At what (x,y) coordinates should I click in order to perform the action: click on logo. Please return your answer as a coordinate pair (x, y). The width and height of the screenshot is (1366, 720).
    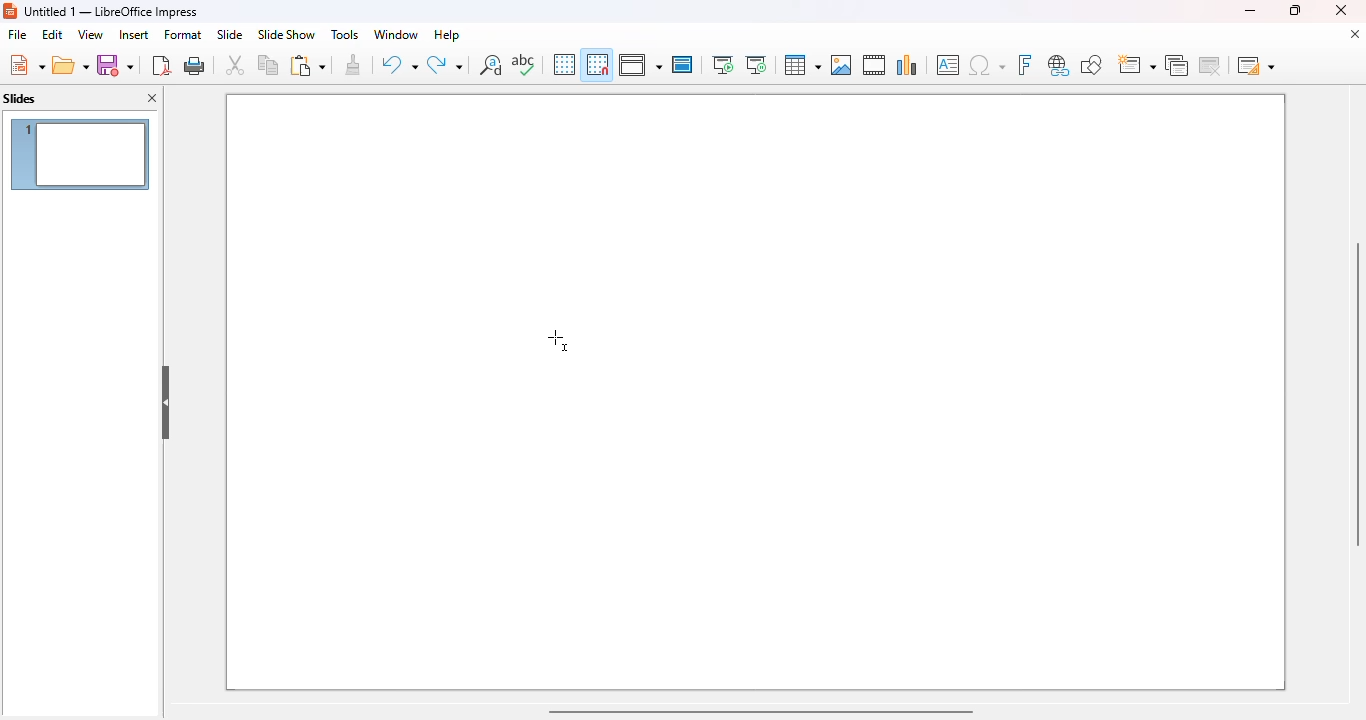
    Looking at the image, I should click on (10, 11).